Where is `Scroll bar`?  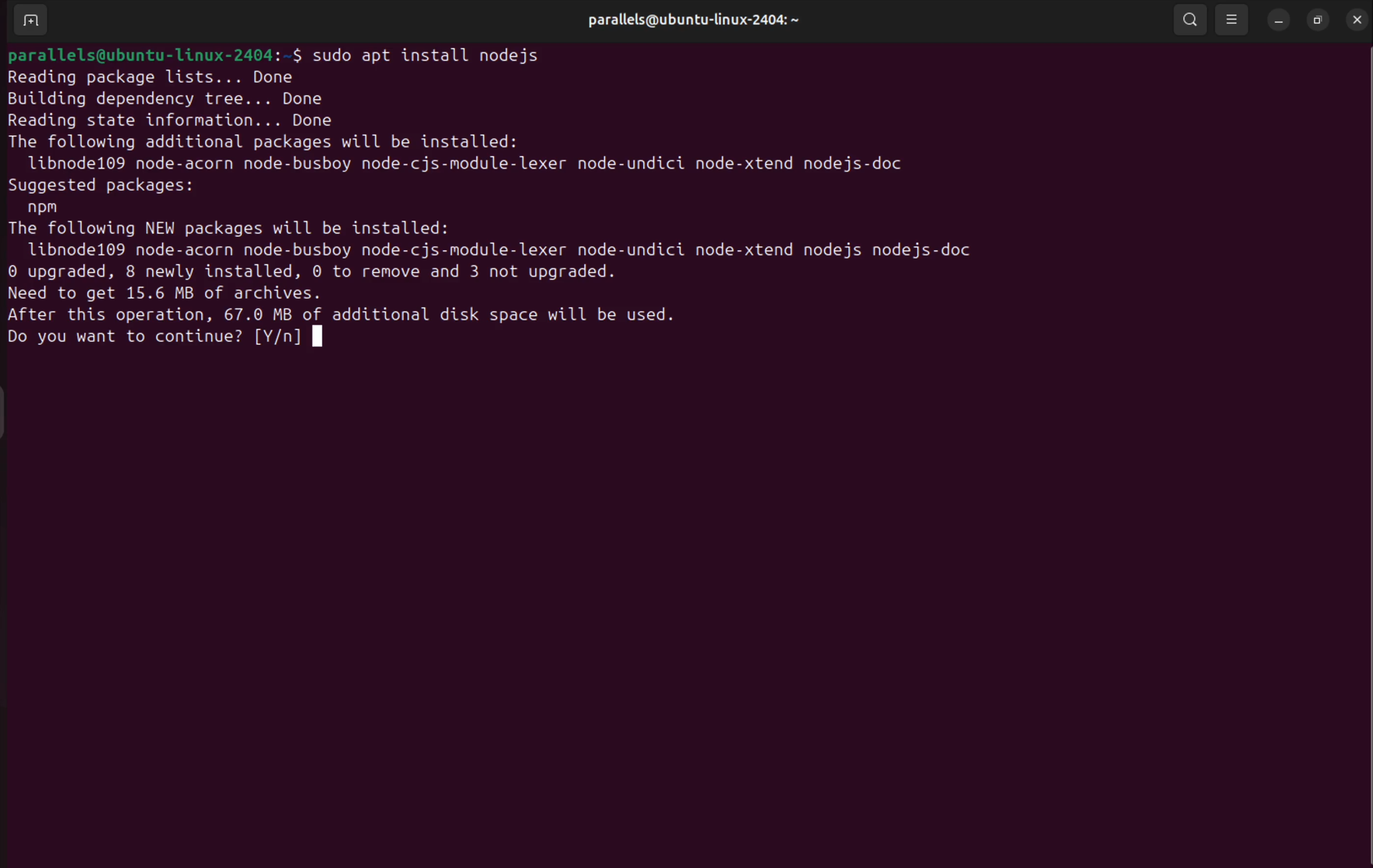
Scroll bar is located at coordinates (1364, 456).